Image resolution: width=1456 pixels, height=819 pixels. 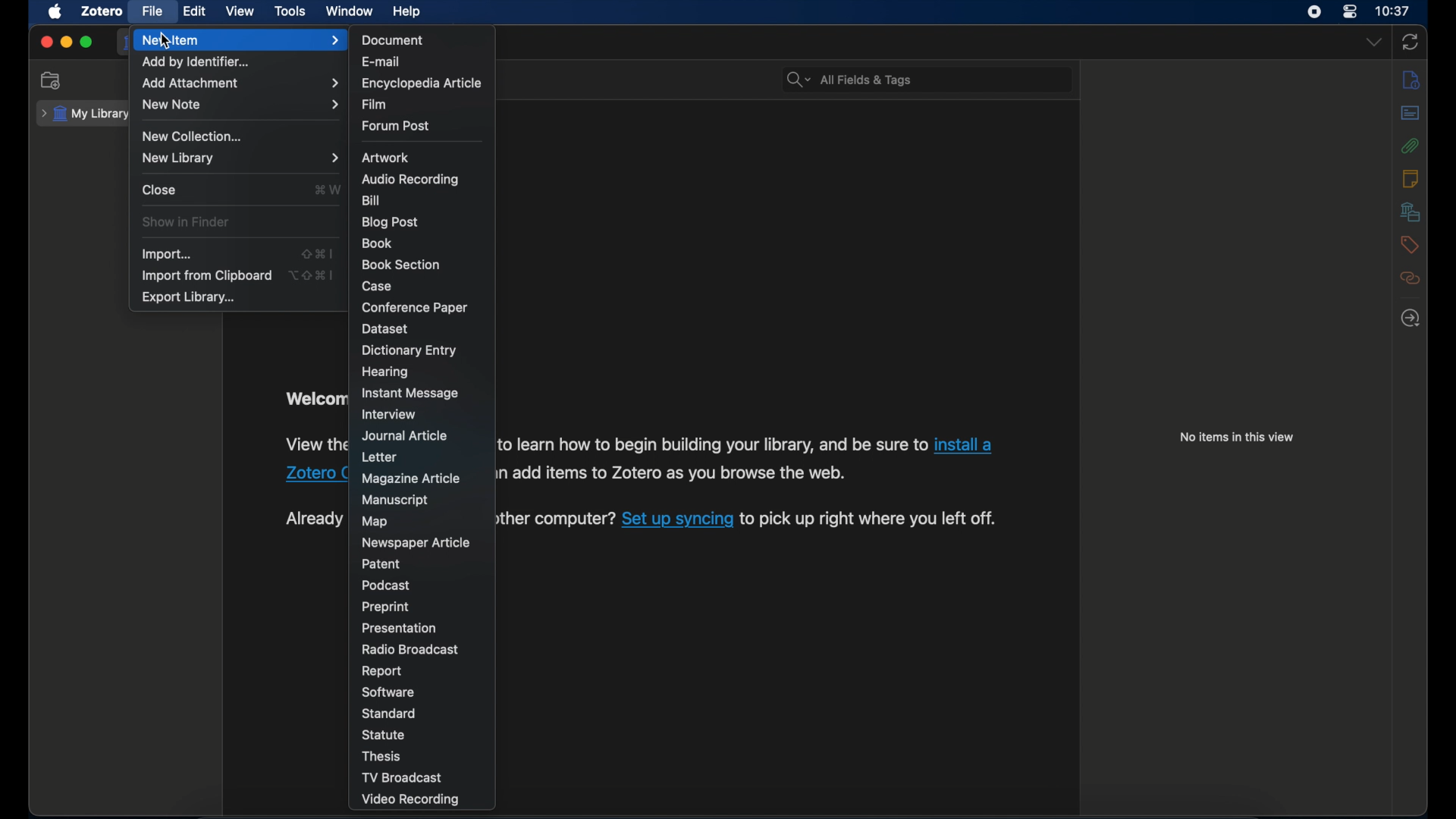 I want to click on instant message, so click(x=409, y=394).